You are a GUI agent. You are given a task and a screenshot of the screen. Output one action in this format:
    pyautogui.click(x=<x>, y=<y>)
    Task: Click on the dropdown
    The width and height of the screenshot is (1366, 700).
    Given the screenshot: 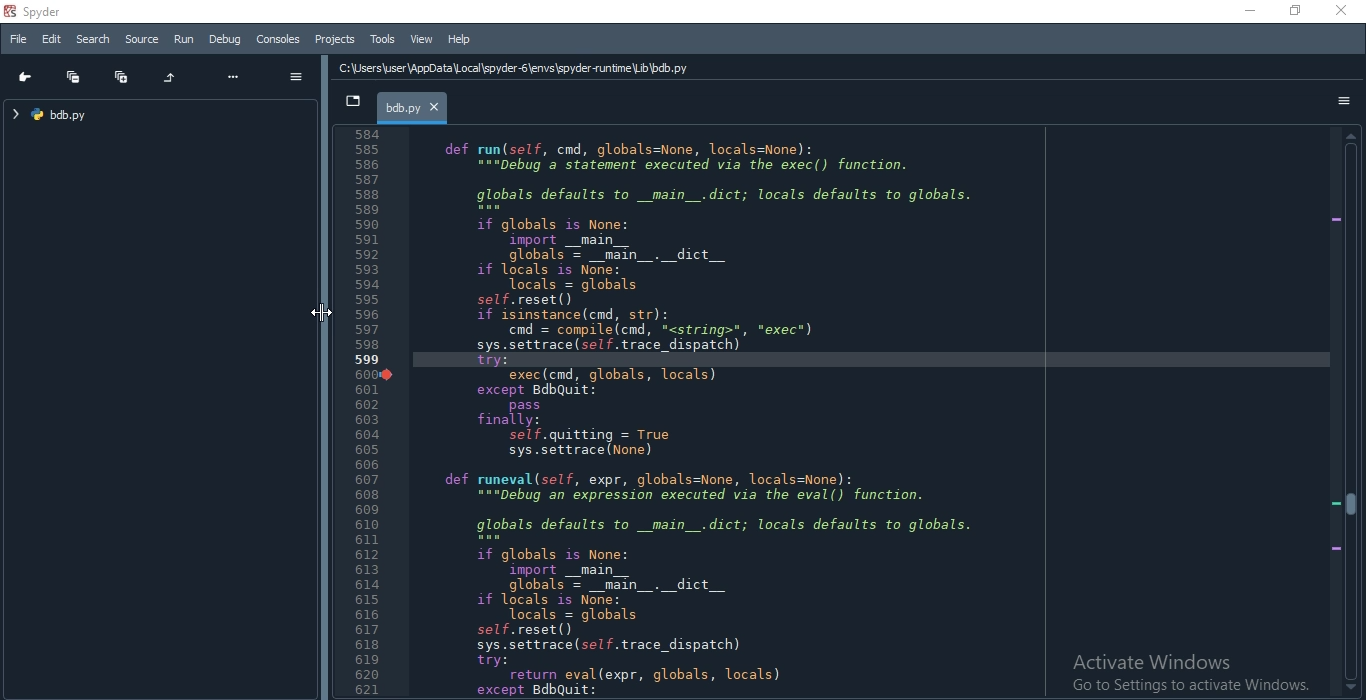 What is the action you would take?
    pyautogui.click(x=355, y=102)
    